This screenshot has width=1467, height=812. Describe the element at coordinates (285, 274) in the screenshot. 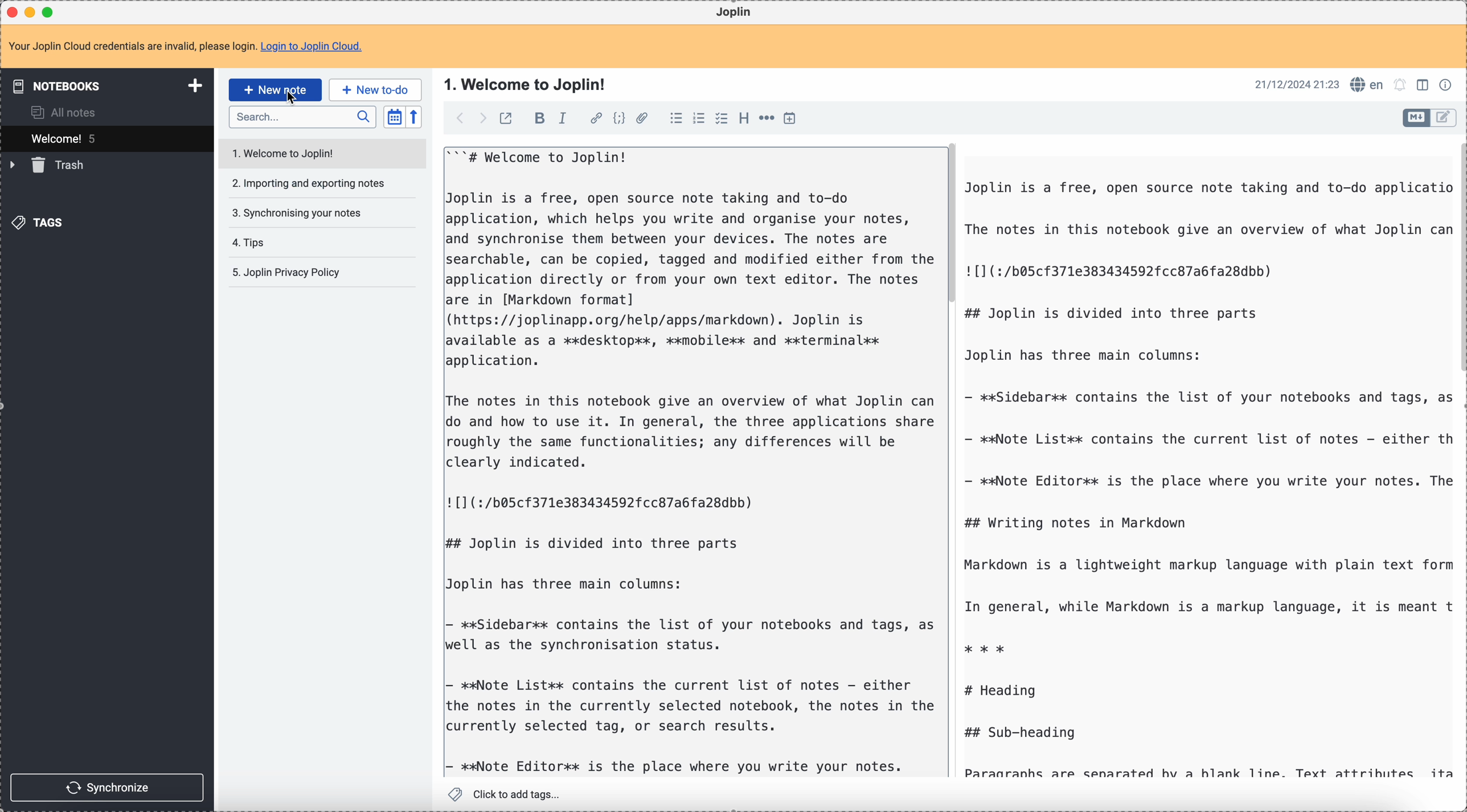

I see `Joplin privacy policy note` at that location.